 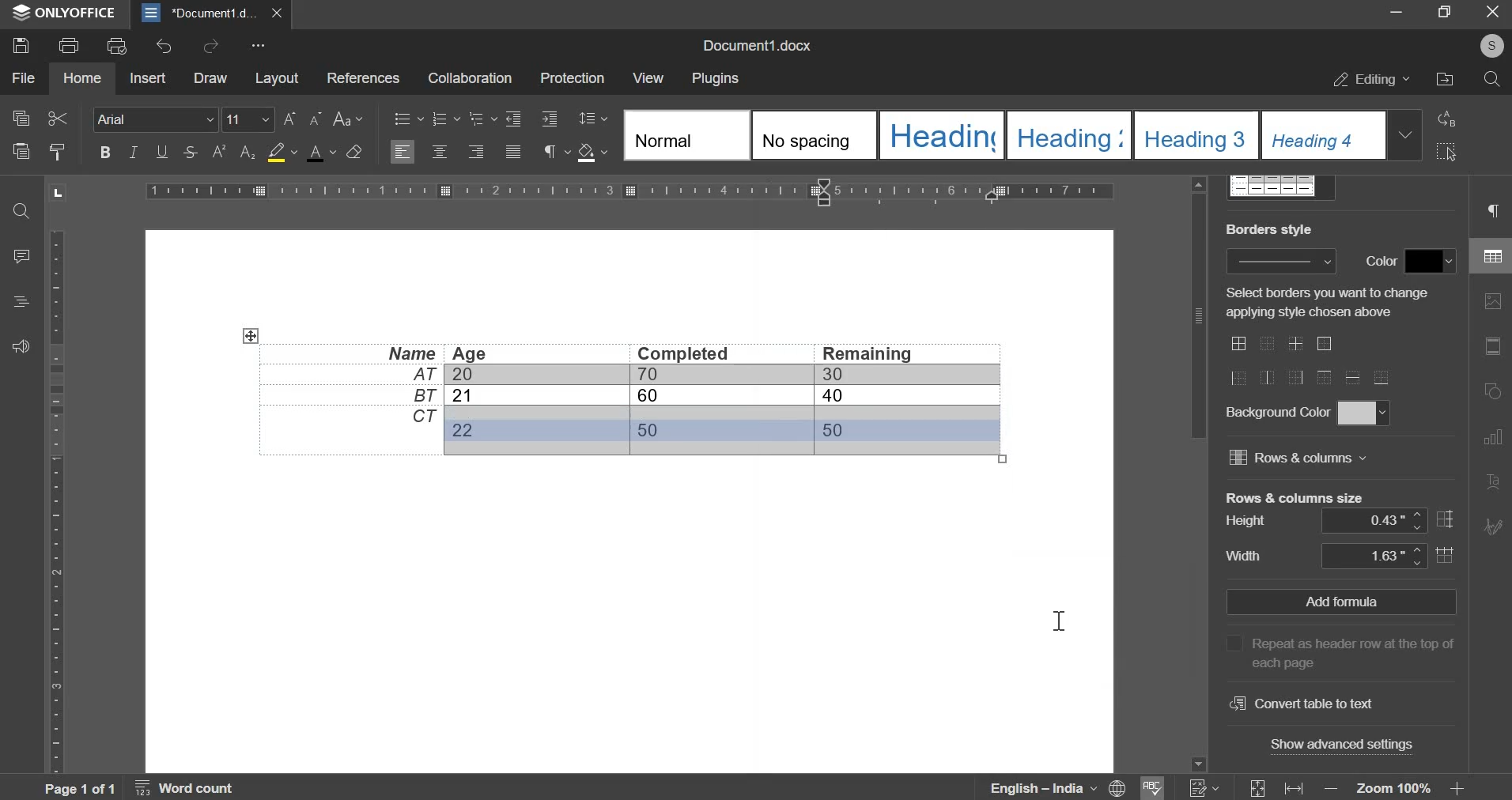 I want to click on Word count, so click(x=195, y=788).